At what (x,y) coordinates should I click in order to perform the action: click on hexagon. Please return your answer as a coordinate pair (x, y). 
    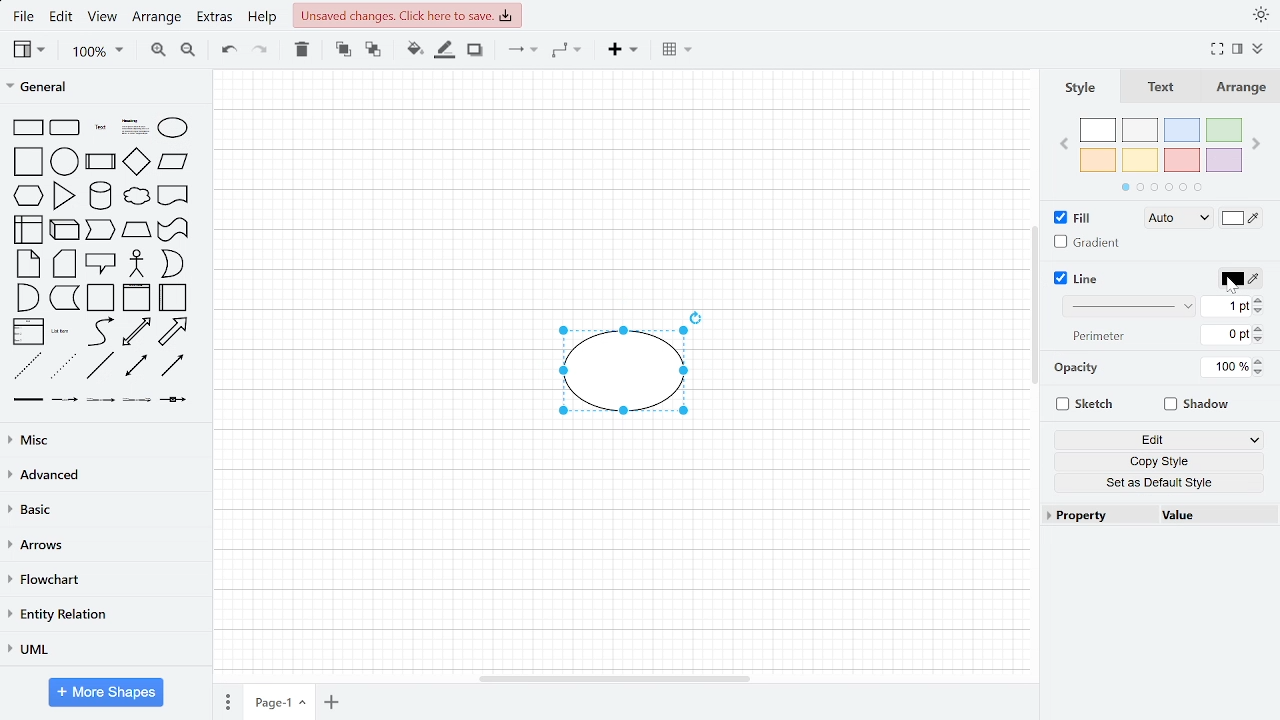
    Looking at the image, I should click on (28, 196).